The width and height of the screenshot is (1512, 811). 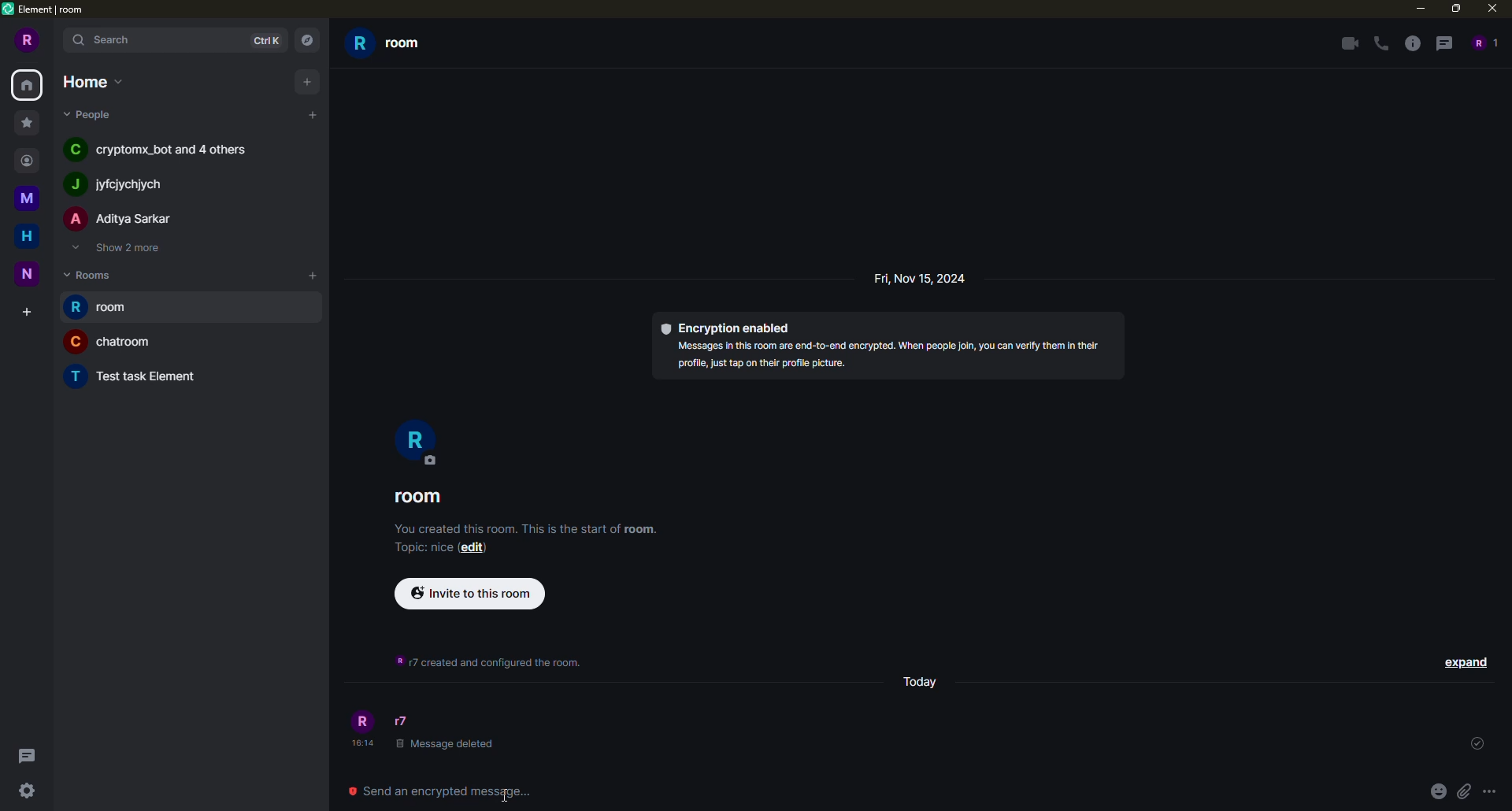 What do you see at coordinates (31, 159) in the screenshot?
I see `contact` at bounding box center [31, 159].